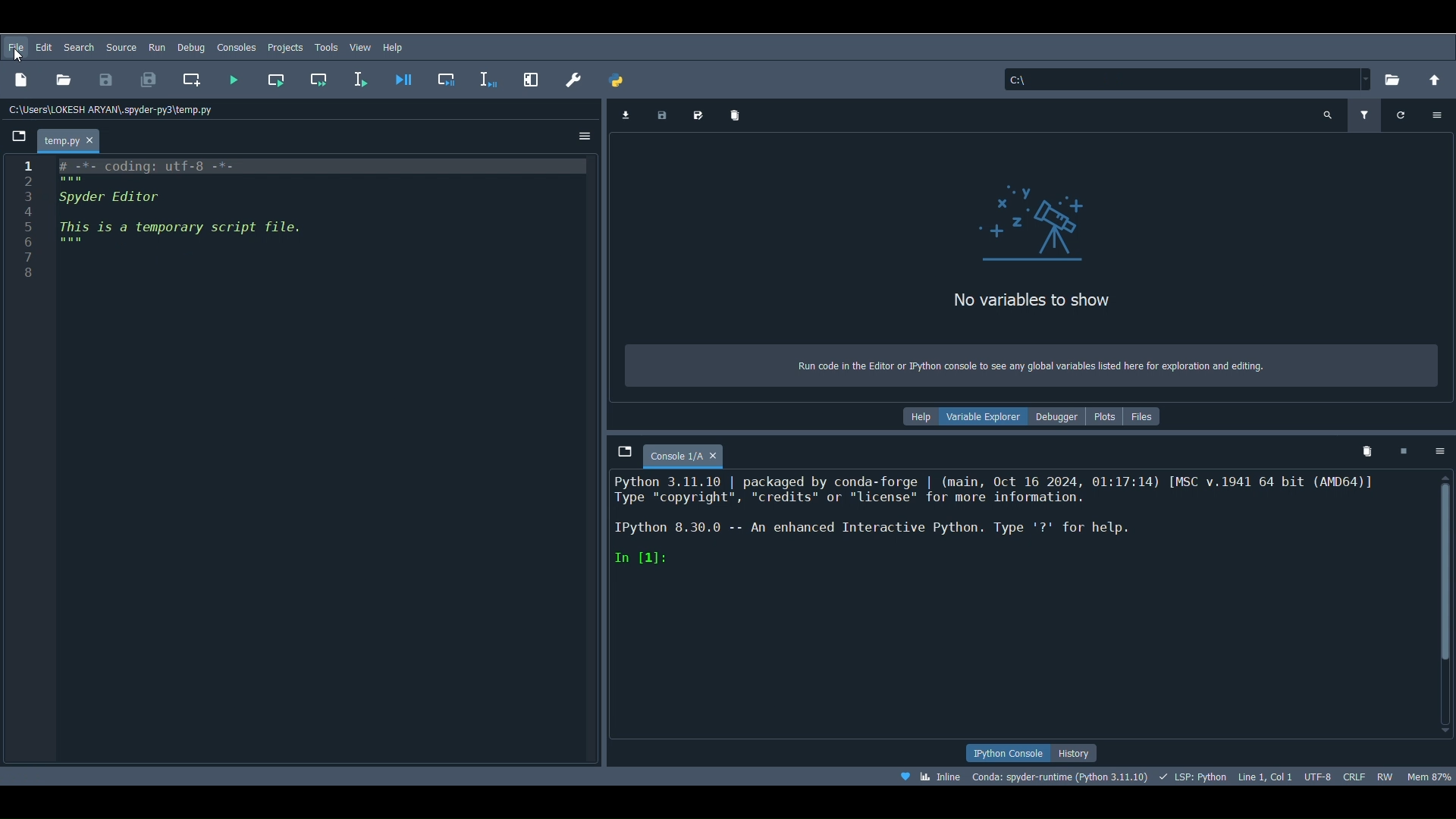 This screenshot has height=819, width=1456. Describe the element at coordinates (1050, 303) in the screenshot. I see `No variables to show` at that location.